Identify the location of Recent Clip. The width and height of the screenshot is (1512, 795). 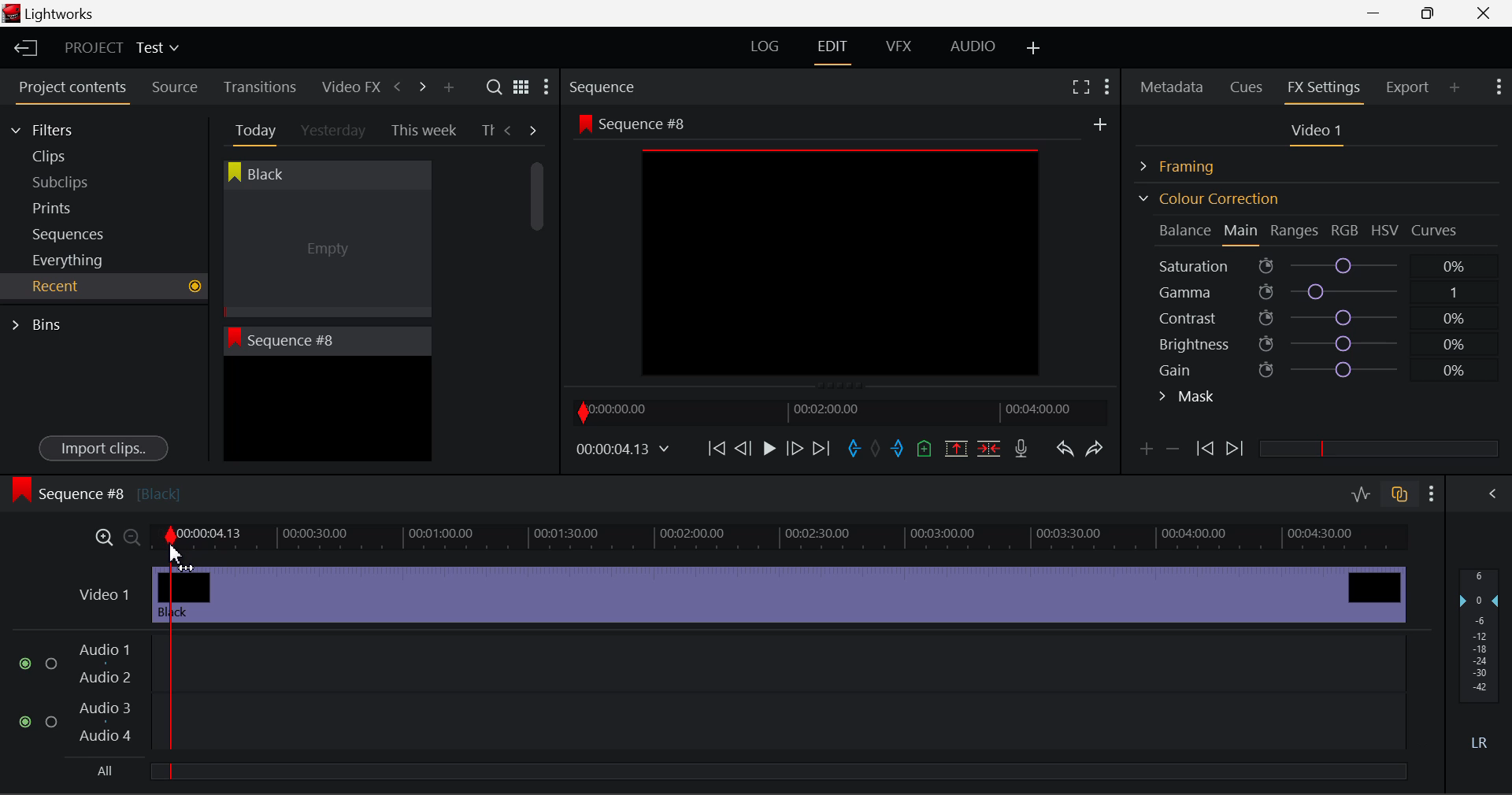
(327, 412).